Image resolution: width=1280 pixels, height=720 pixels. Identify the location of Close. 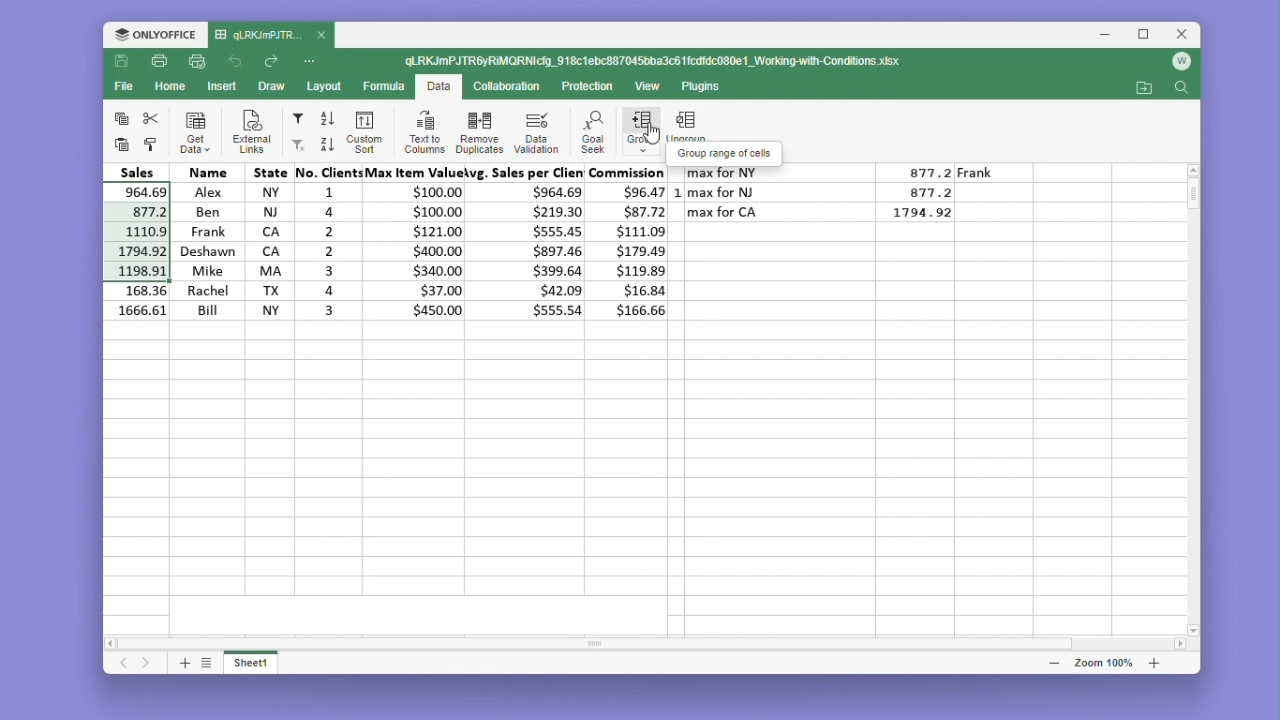
(1184, 35).